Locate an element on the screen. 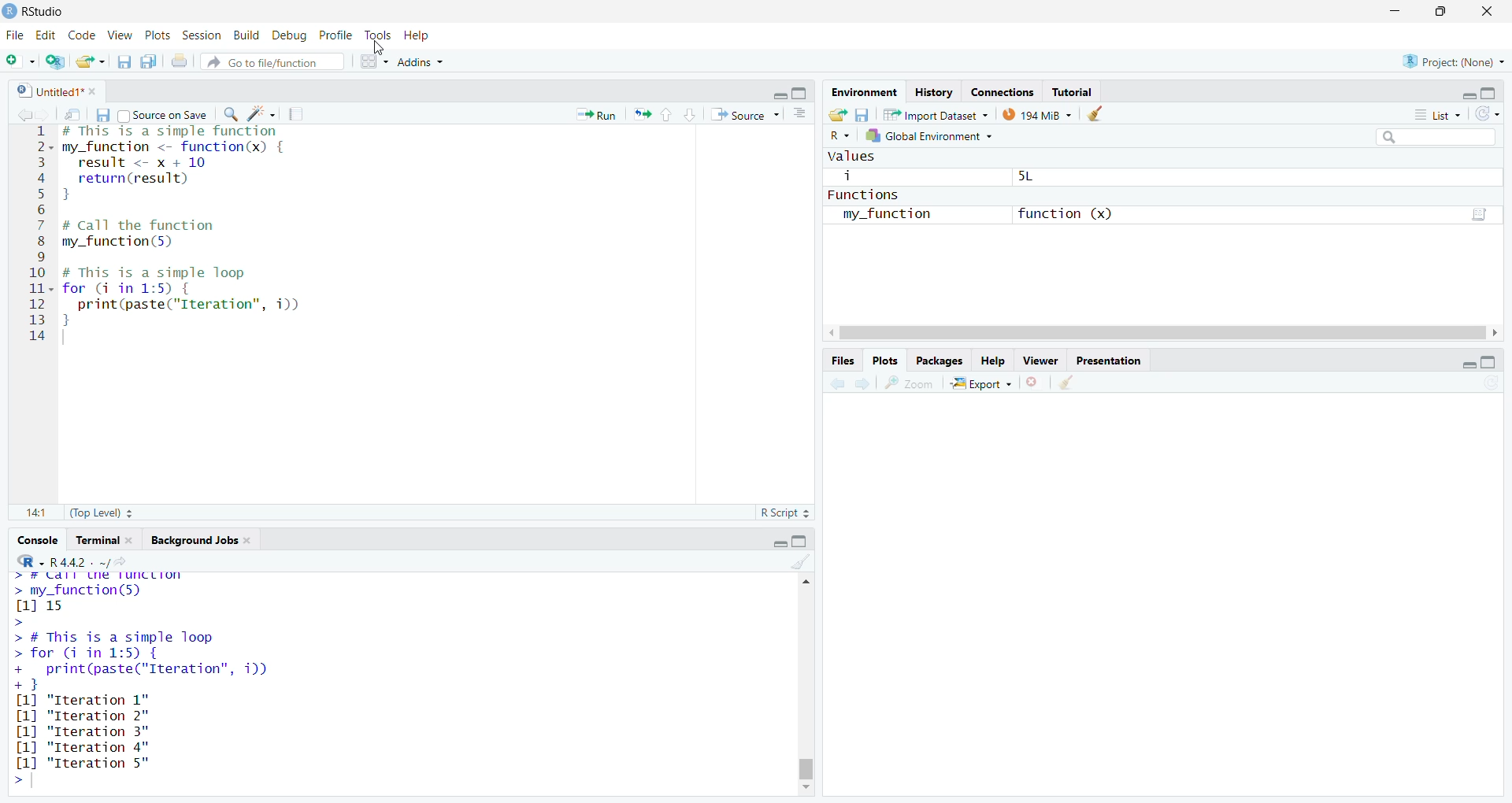  clear all plots is located at coordinates (1071, 383).